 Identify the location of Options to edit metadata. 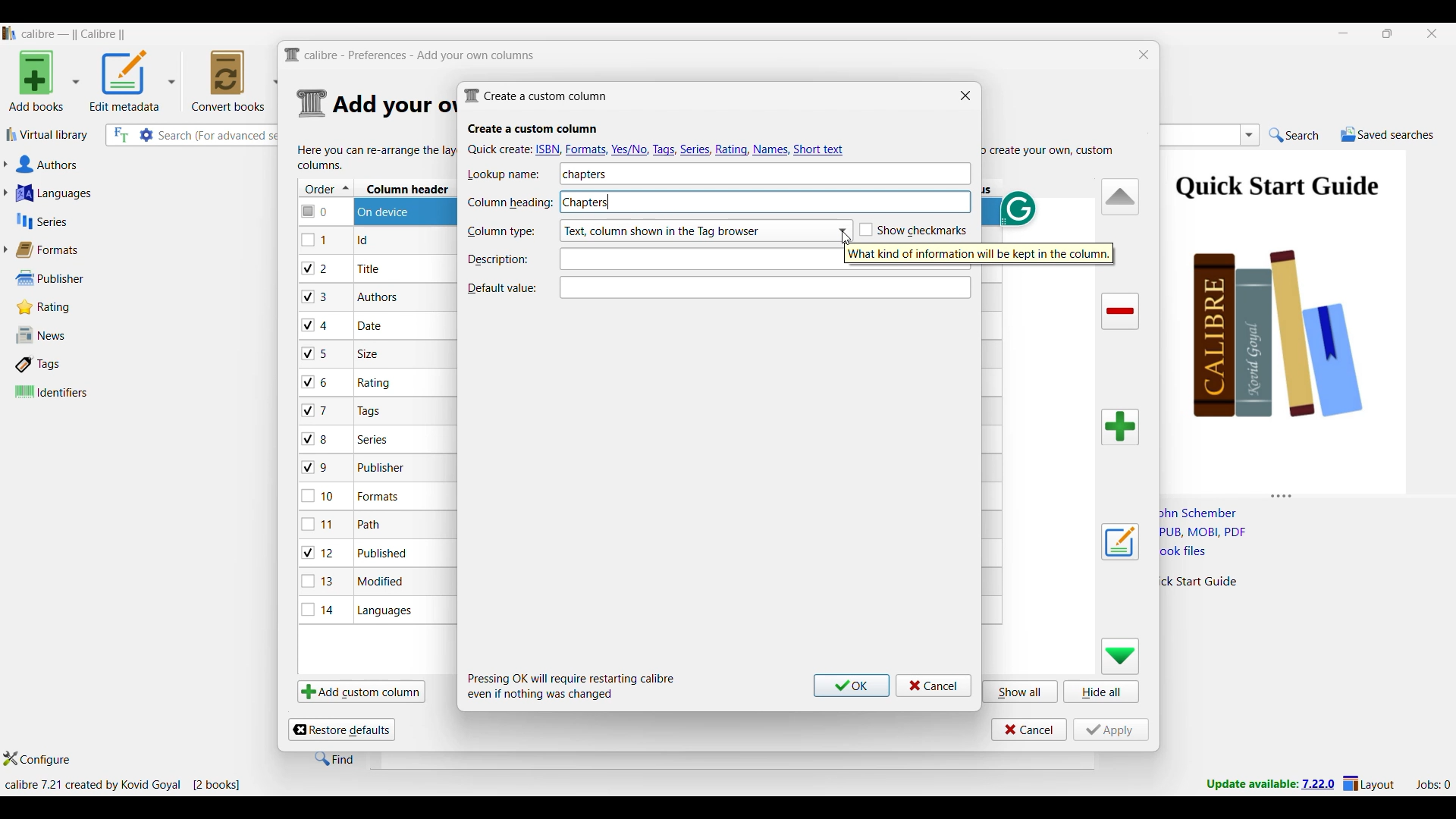
(133, 80).